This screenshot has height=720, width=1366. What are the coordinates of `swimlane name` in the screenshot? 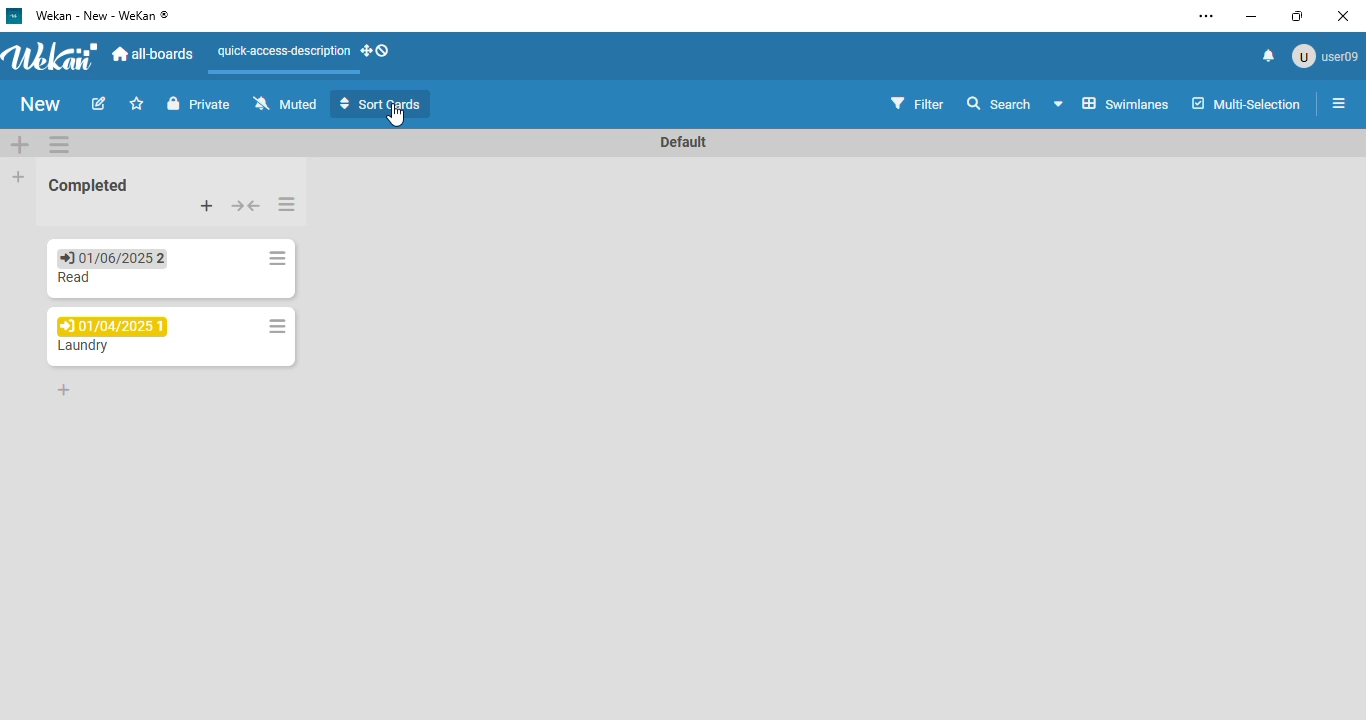 It's located at (683, 141).